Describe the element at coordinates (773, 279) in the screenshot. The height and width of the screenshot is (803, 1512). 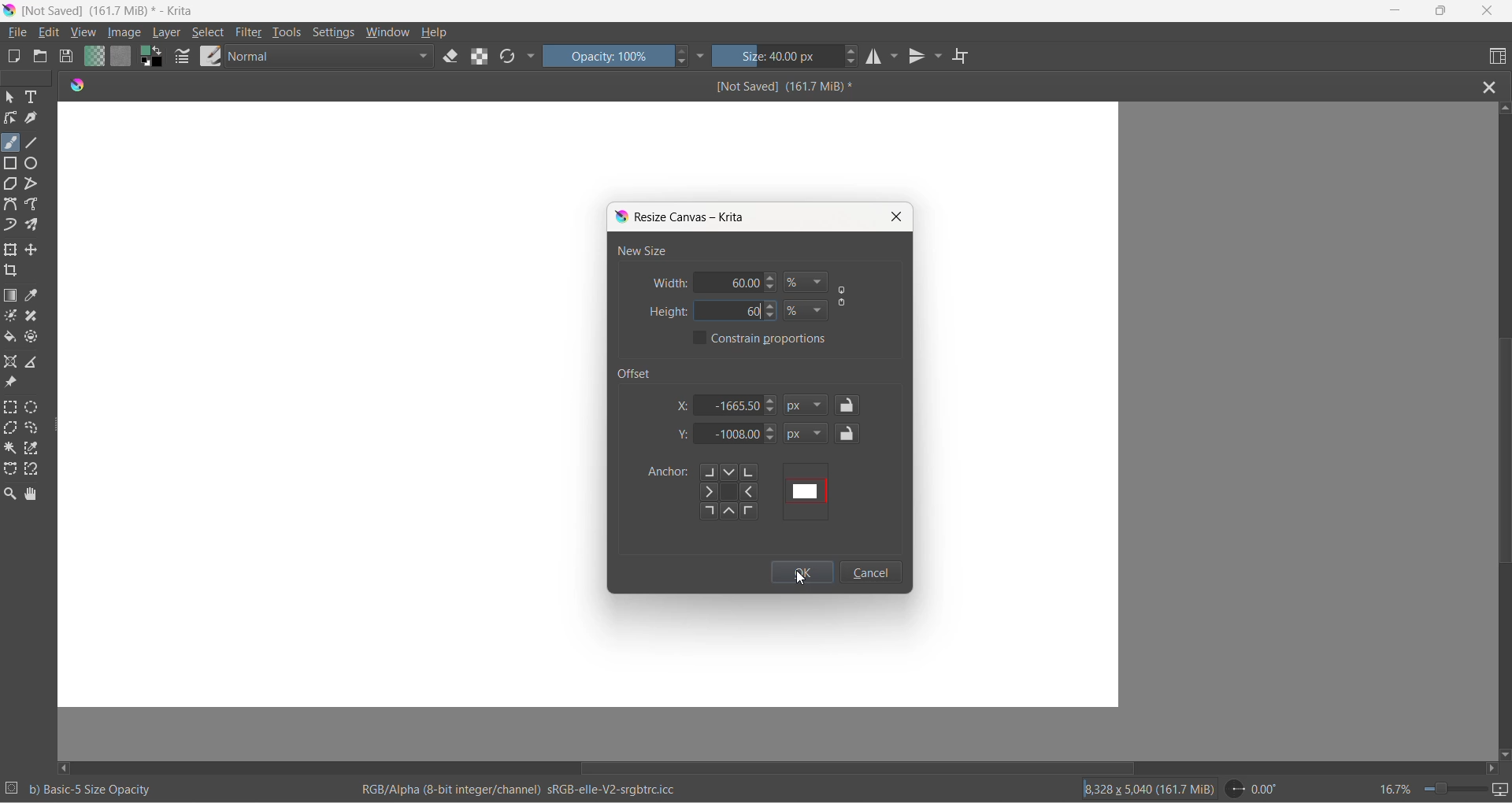
I see `increment width` at that location.